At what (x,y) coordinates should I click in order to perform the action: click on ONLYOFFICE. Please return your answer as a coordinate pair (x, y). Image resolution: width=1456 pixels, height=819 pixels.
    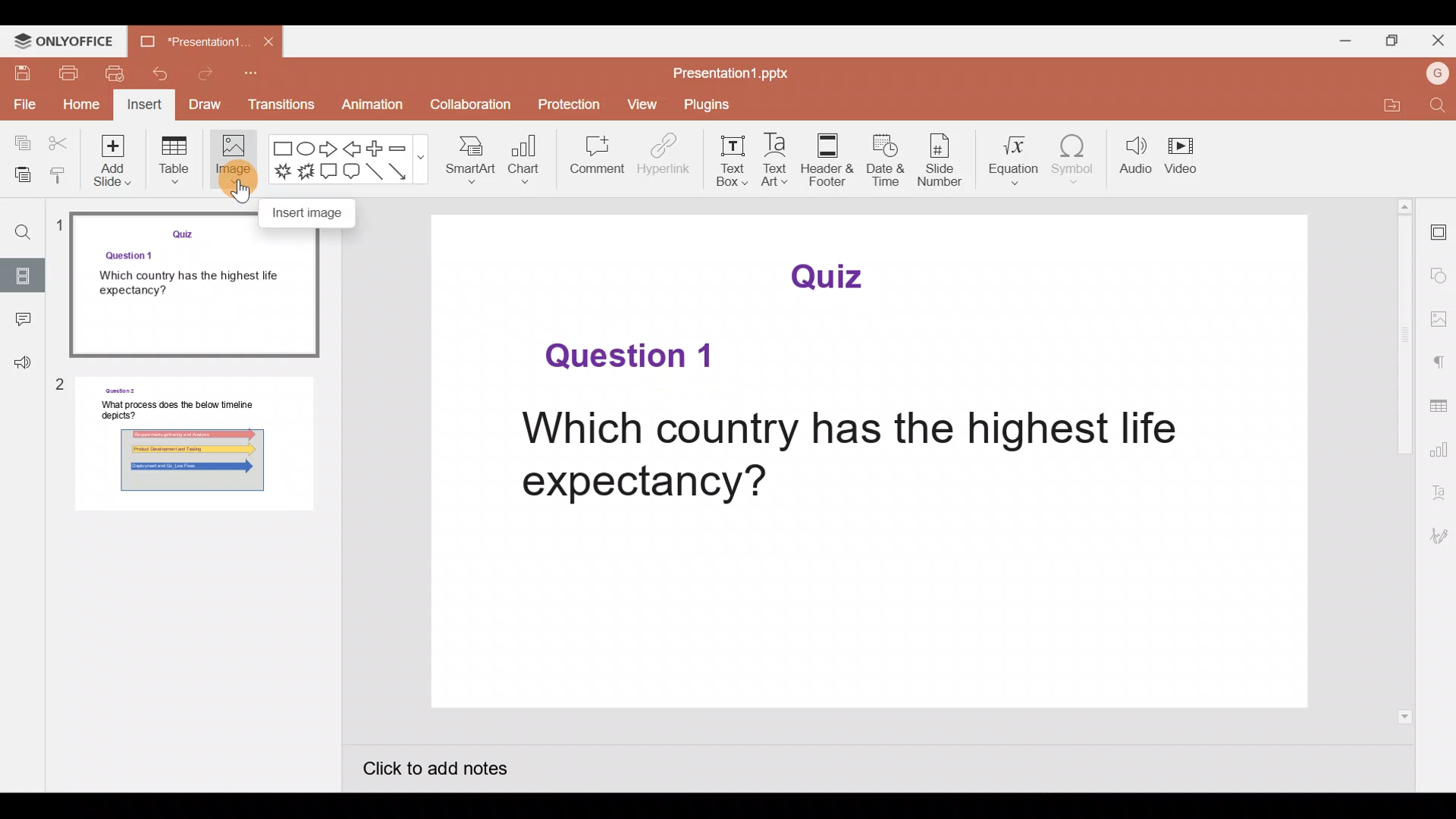
    Looking at the image, I should click on (65, 42).